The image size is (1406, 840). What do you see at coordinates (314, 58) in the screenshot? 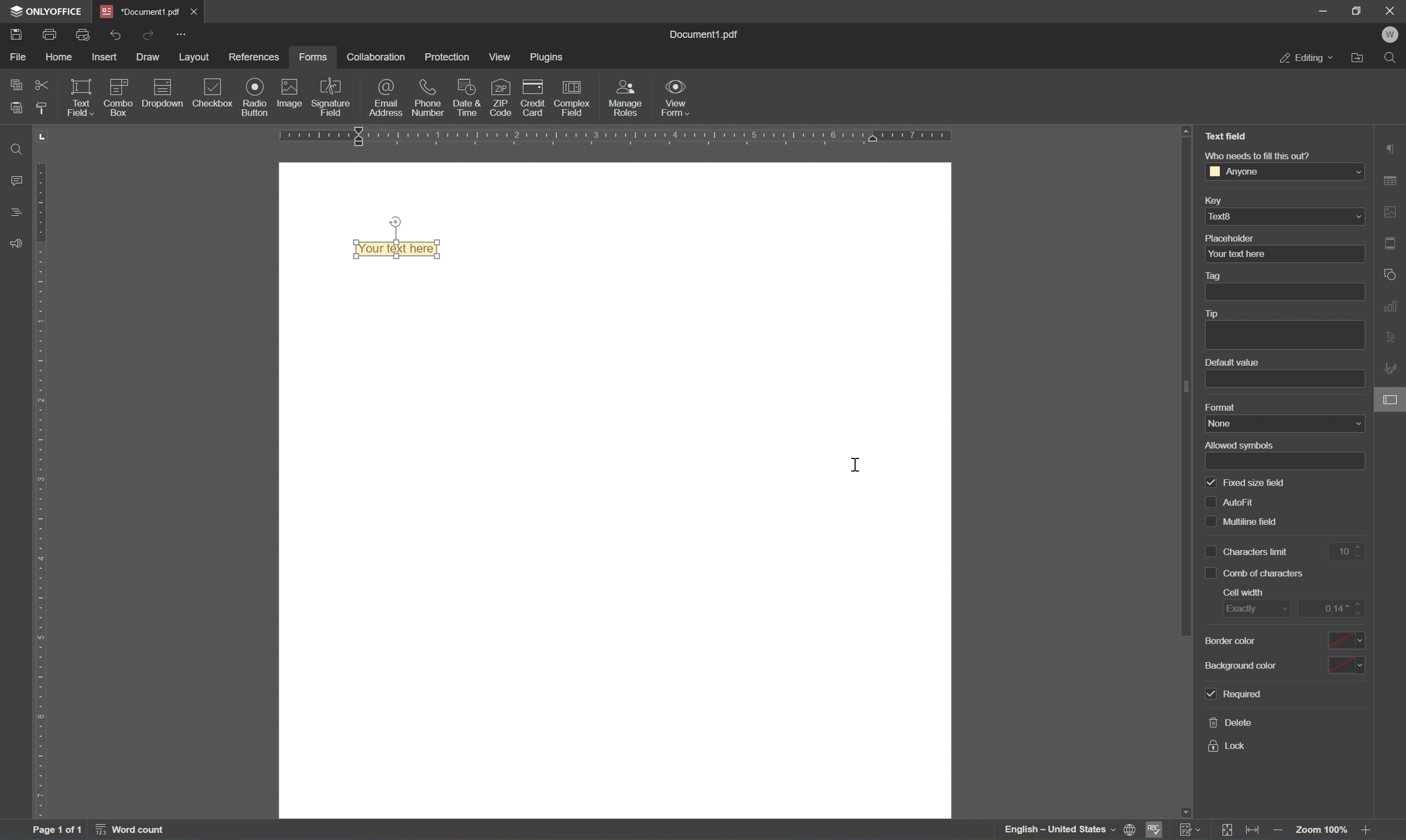
I see `forms` at bounding box center [314, 58].